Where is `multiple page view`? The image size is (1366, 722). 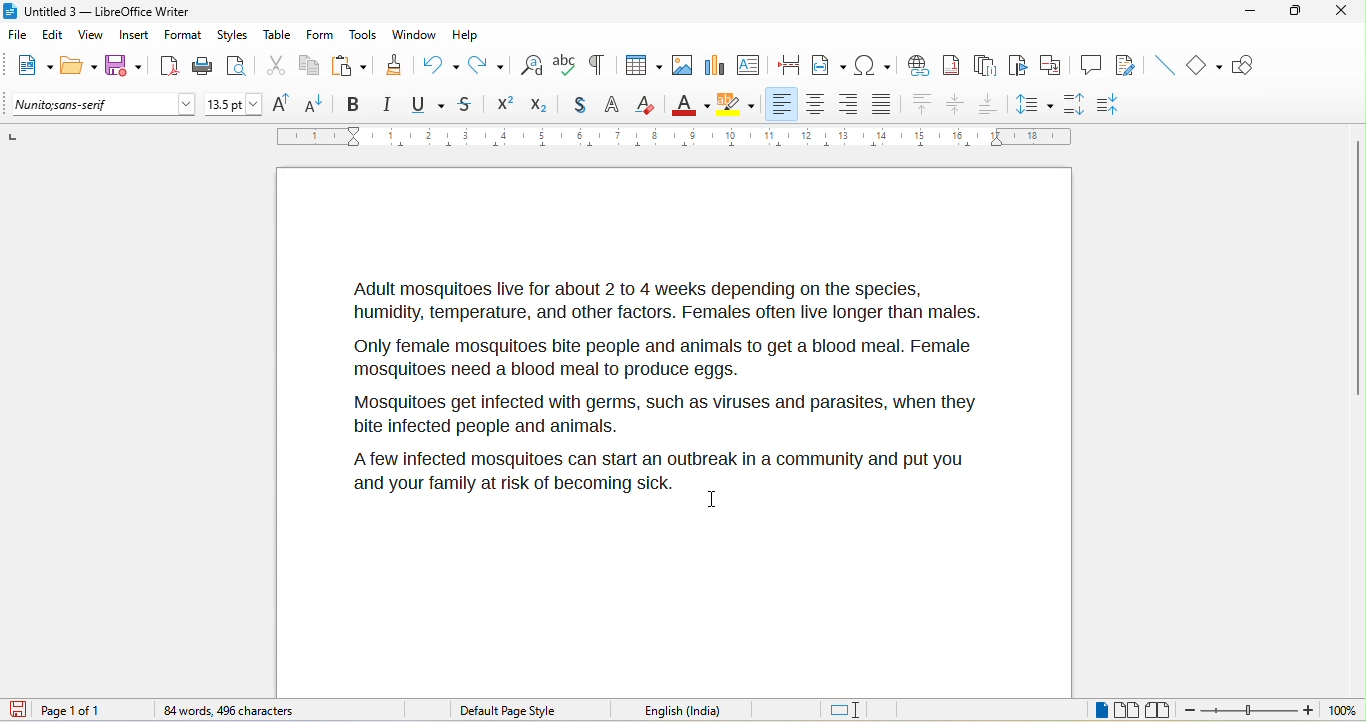
multiple page view is located at coordinates (1127, 711).